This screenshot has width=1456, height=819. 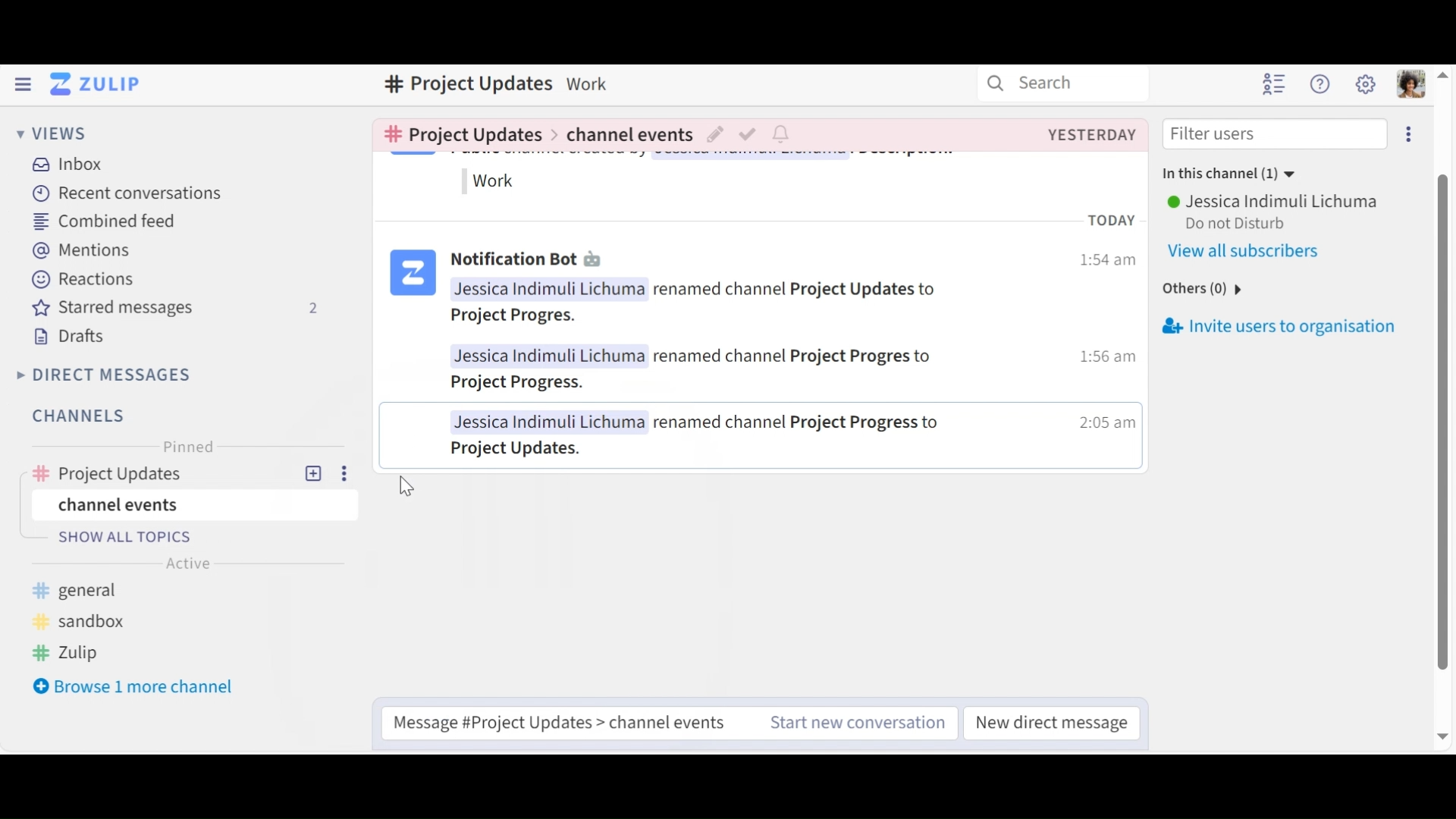 What do you see at coordinates (1409, 134) in the screenshot?
I see `Invite users to organisation` at bounding box center [1409, 134].